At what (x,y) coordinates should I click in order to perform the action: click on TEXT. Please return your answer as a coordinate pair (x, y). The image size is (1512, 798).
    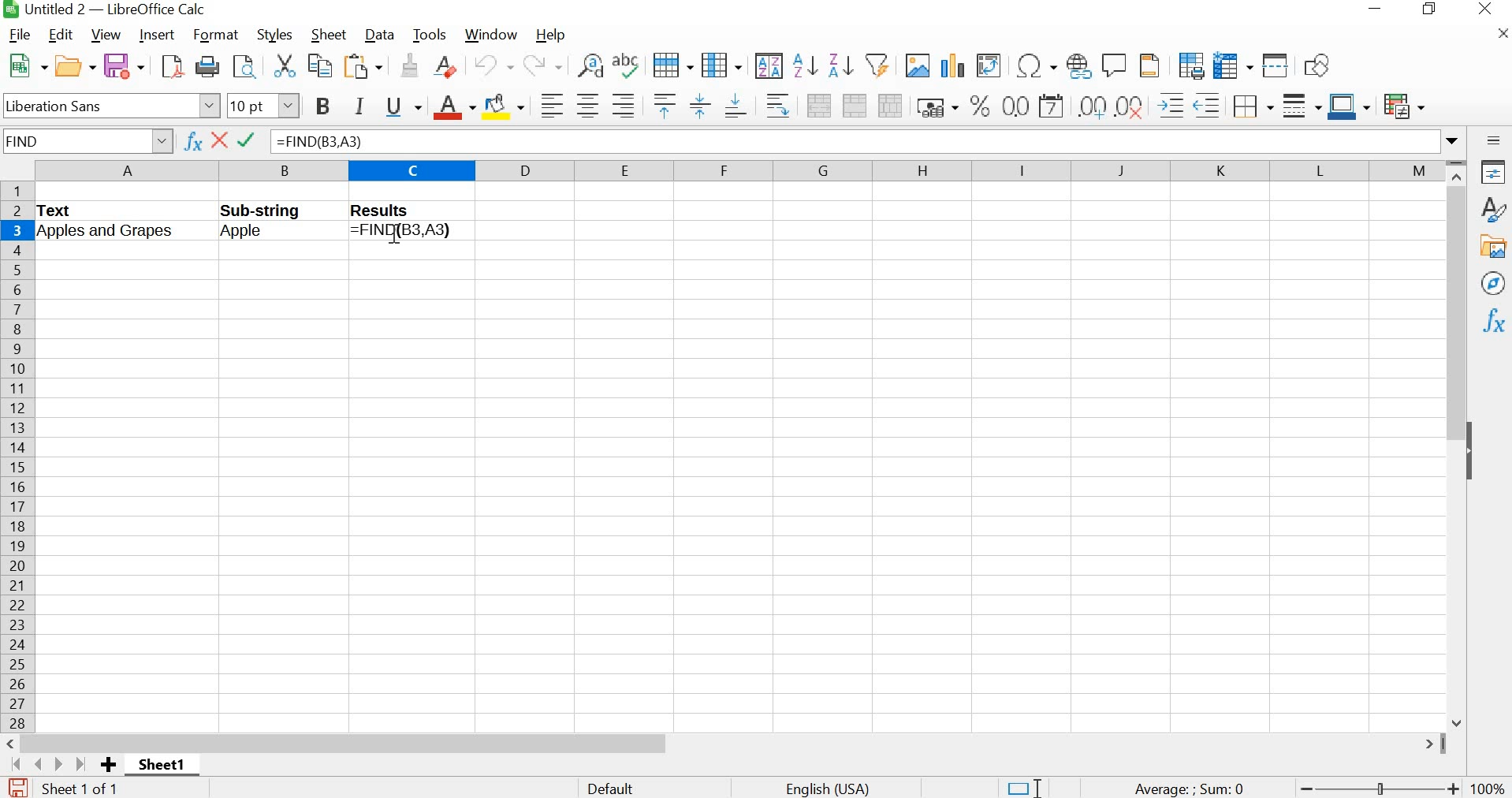
    Looking at the image, I should click on (61, 211).